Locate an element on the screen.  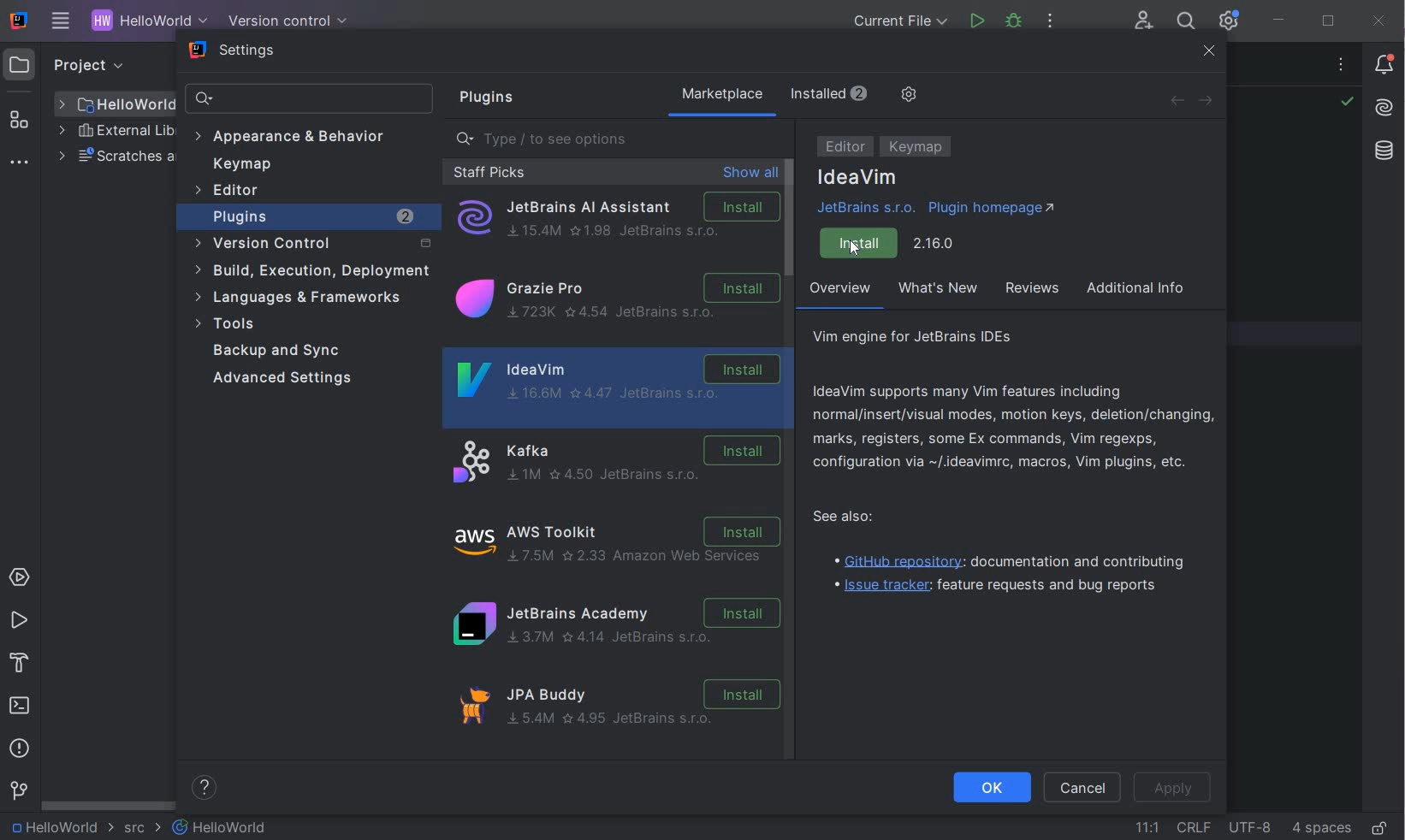
EDITOR is located at coordinates (845, 148).